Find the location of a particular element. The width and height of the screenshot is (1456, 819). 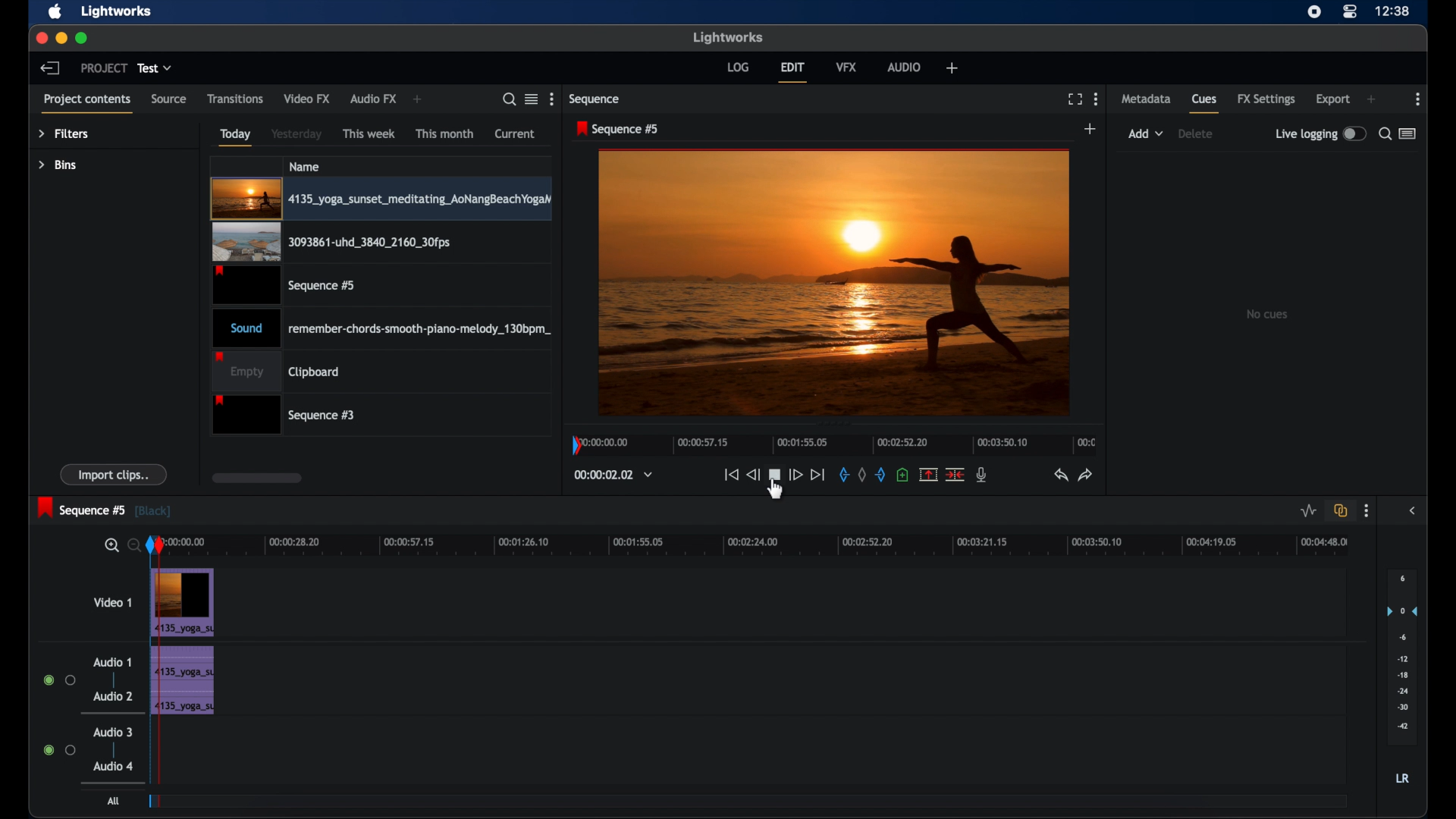

sequence is located at coordinates (105, 507).